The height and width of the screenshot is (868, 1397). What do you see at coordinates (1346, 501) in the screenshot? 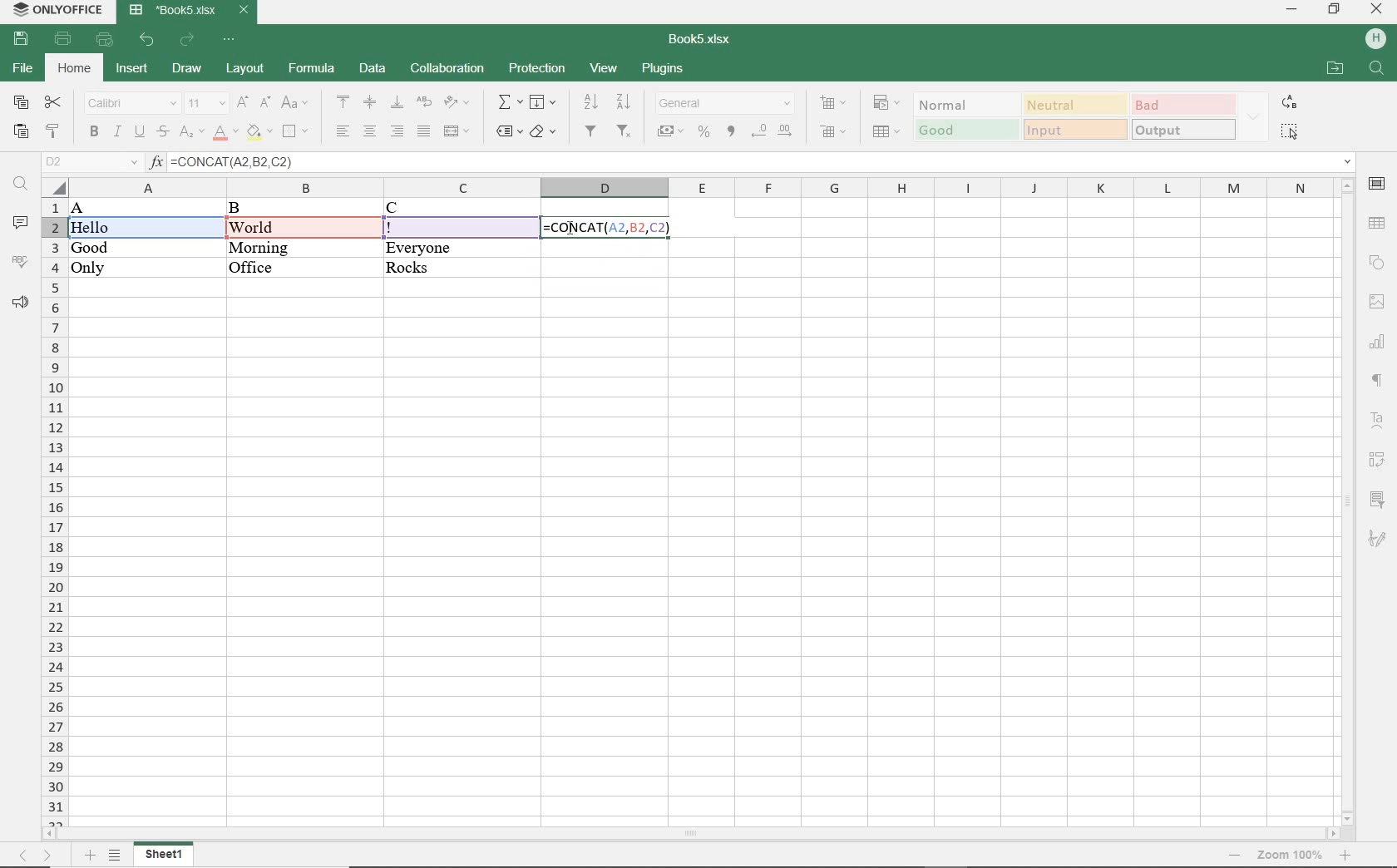
I see `SCROLLBAR` at bounding box center [1346, 501].